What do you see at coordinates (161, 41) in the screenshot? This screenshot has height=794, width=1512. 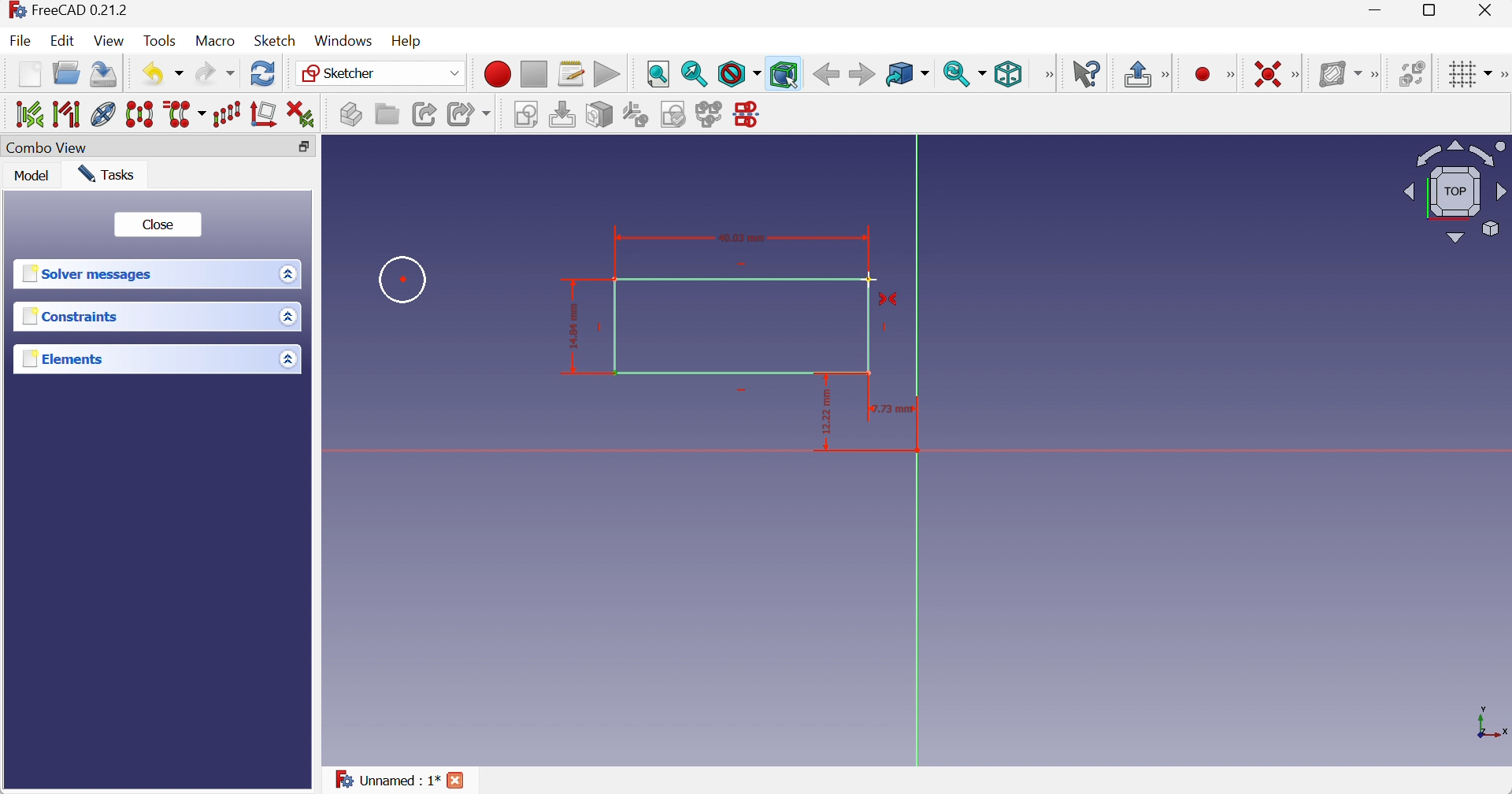 I see `Tools` at bounding box center [161, 41].